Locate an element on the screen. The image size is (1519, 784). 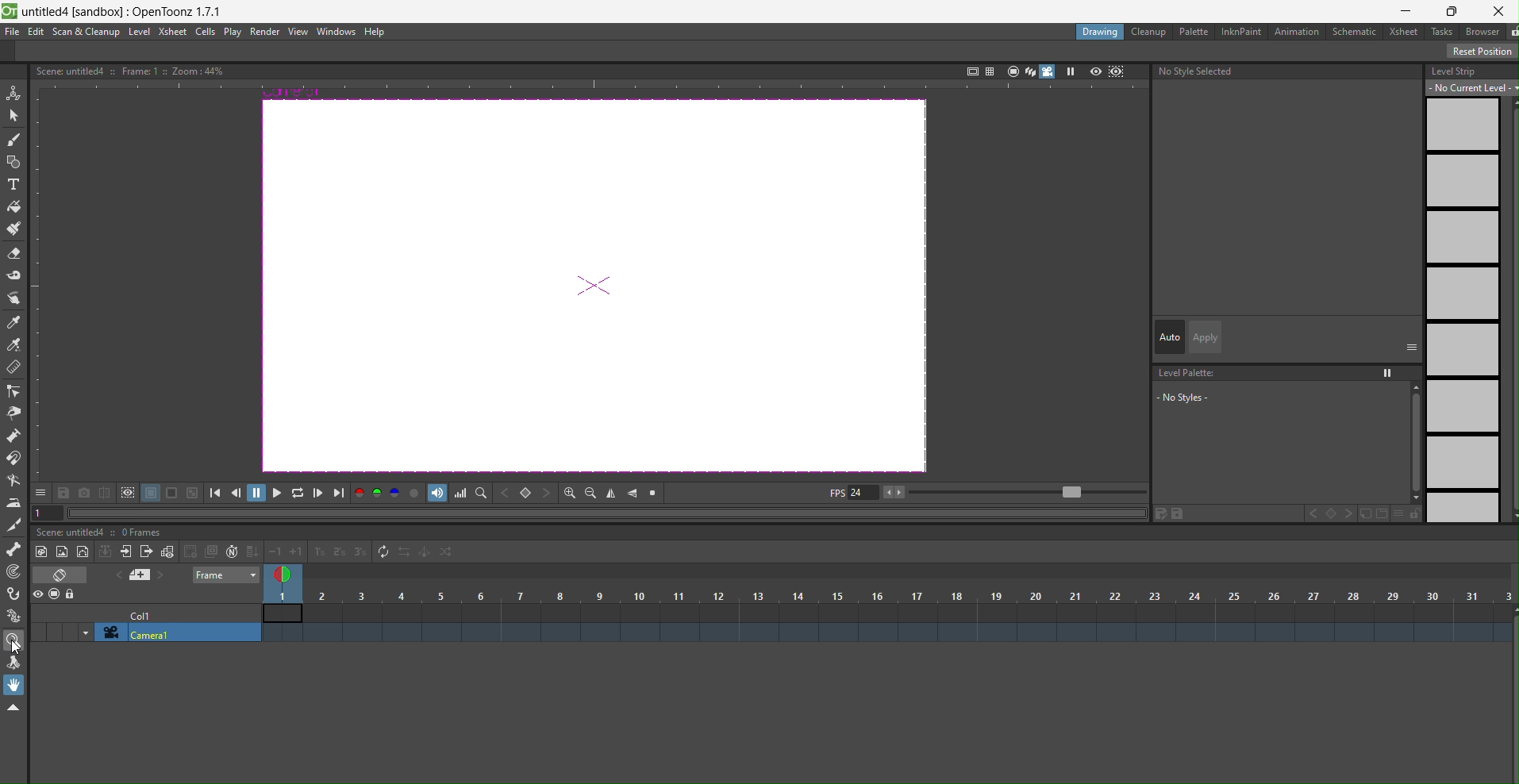
 is located at coordinates (46, 594).